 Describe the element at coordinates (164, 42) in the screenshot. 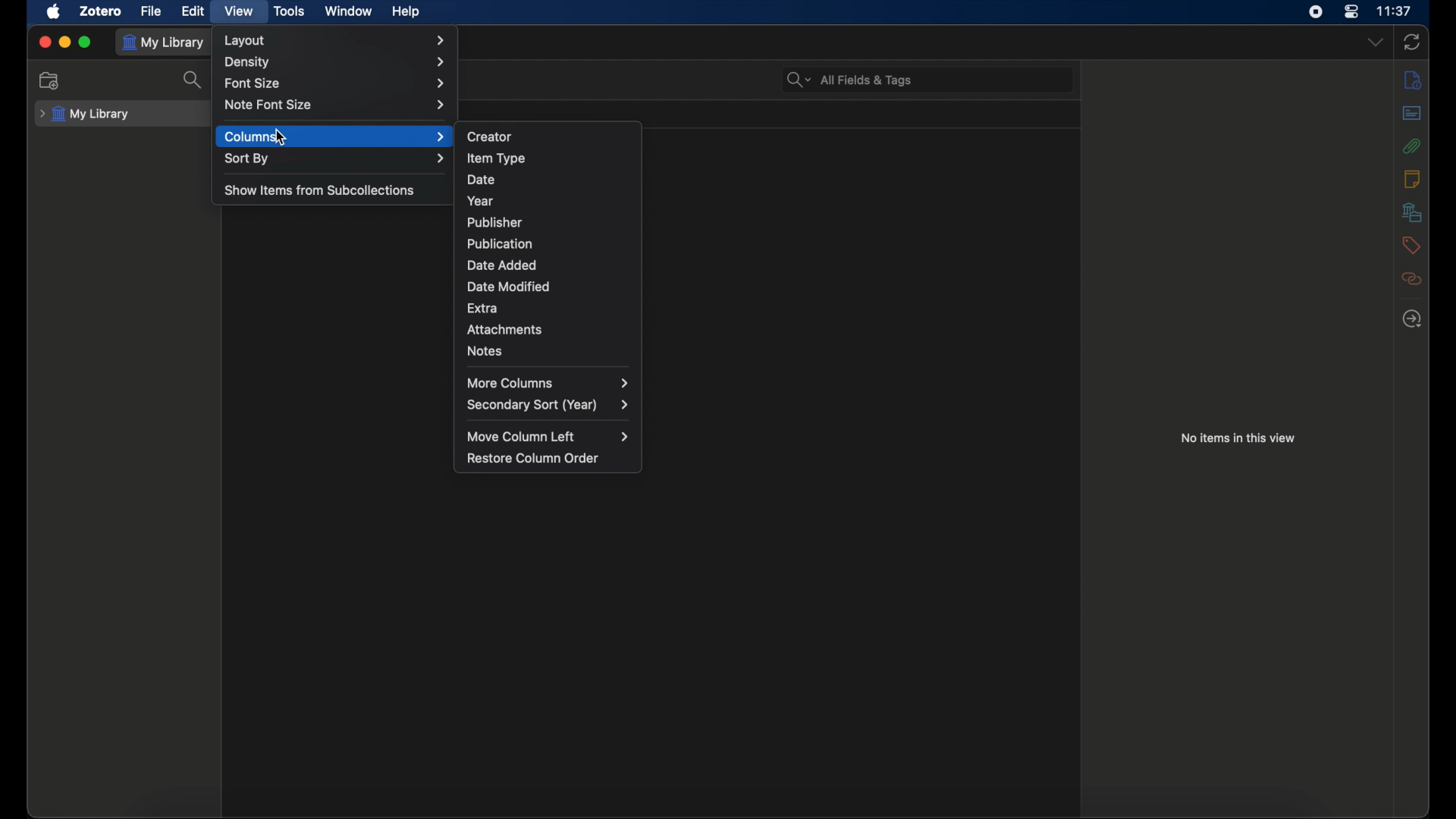

I see `my library` at that location.